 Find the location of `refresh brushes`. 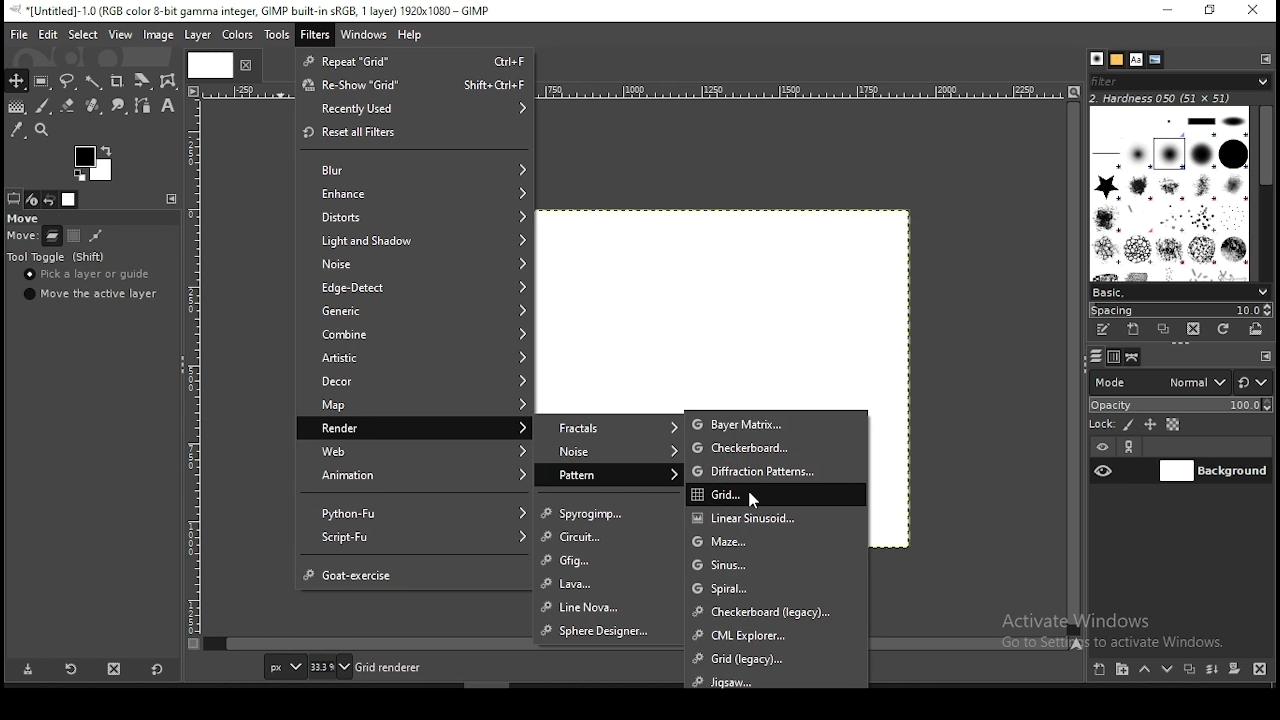

refresh brushes is located at coordinates (1224, 330).